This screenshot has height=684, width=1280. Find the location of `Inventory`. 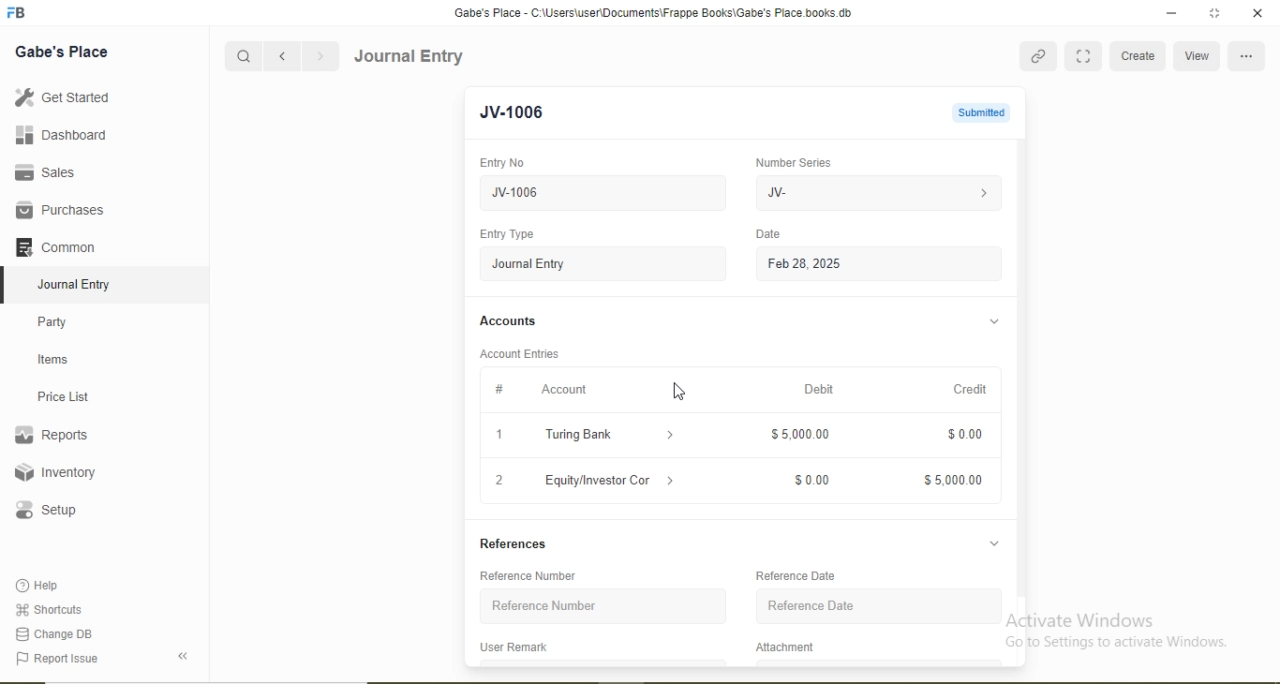

Inventory is located at coordinates (56, 472).